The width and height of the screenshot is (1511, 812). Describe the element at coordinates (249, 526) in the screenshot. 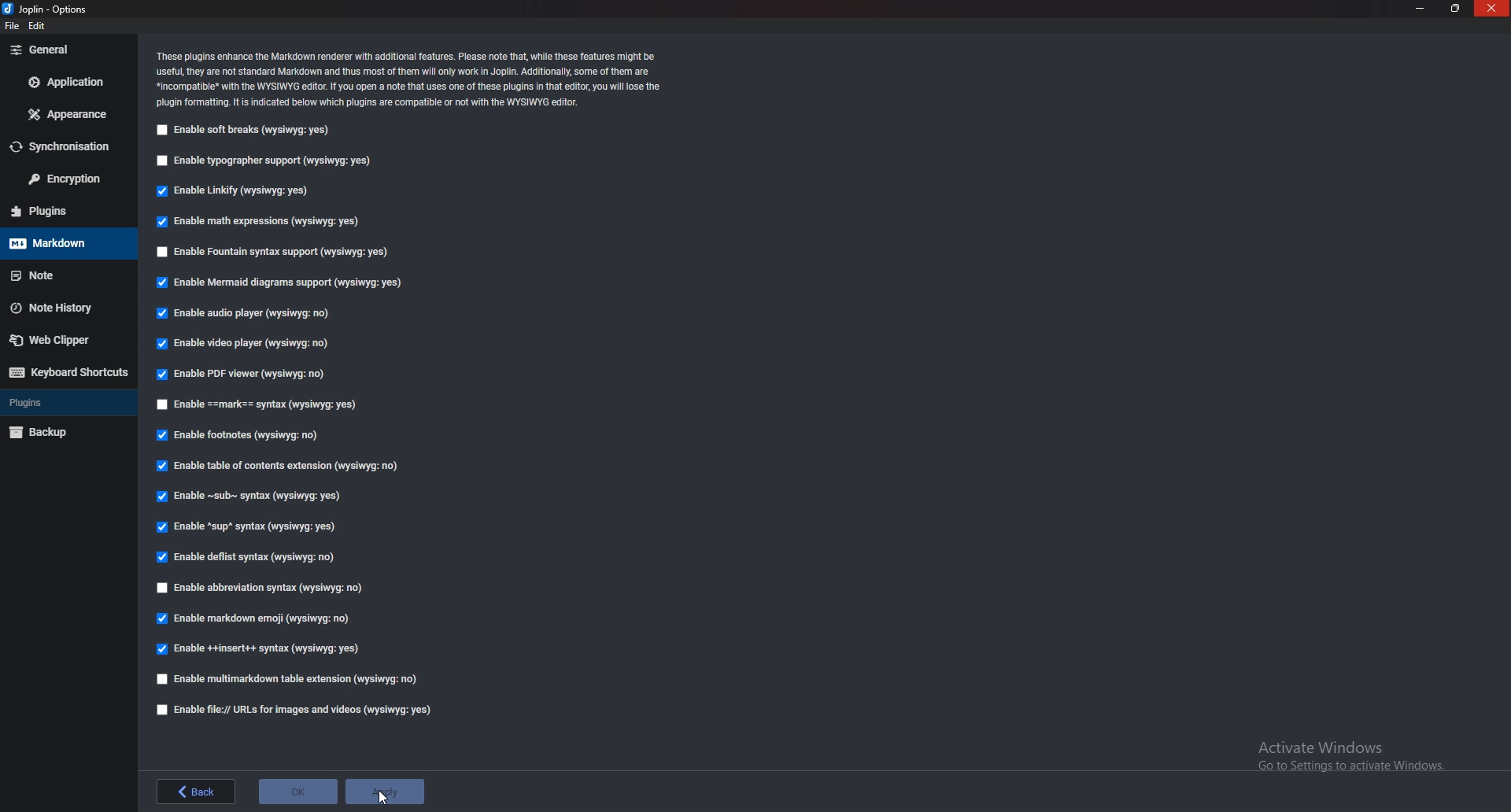

I see `Enable sup syntax` at that location.